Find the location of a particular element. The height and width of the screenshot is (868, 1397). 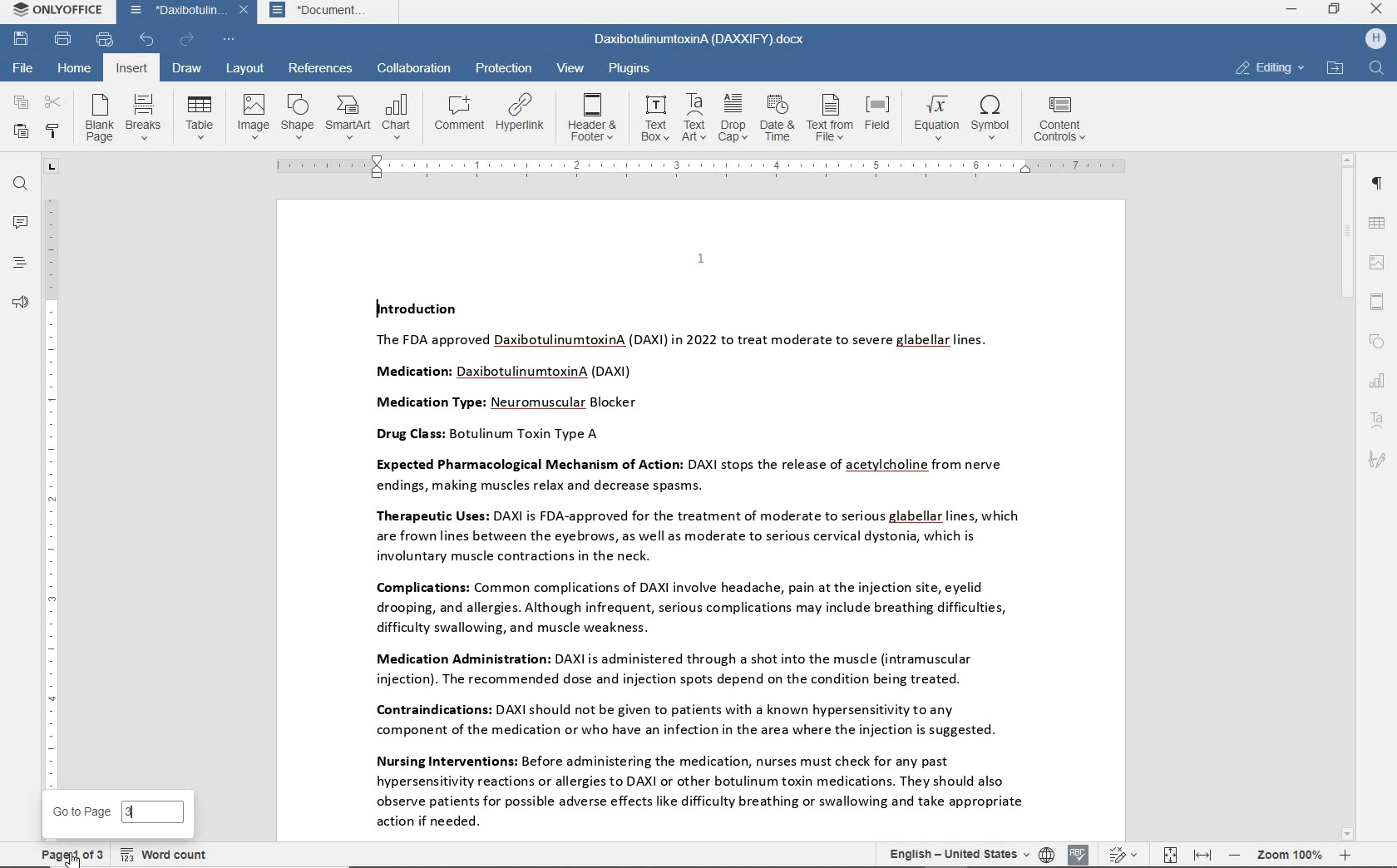

text art is located at coordinates (694, 117).